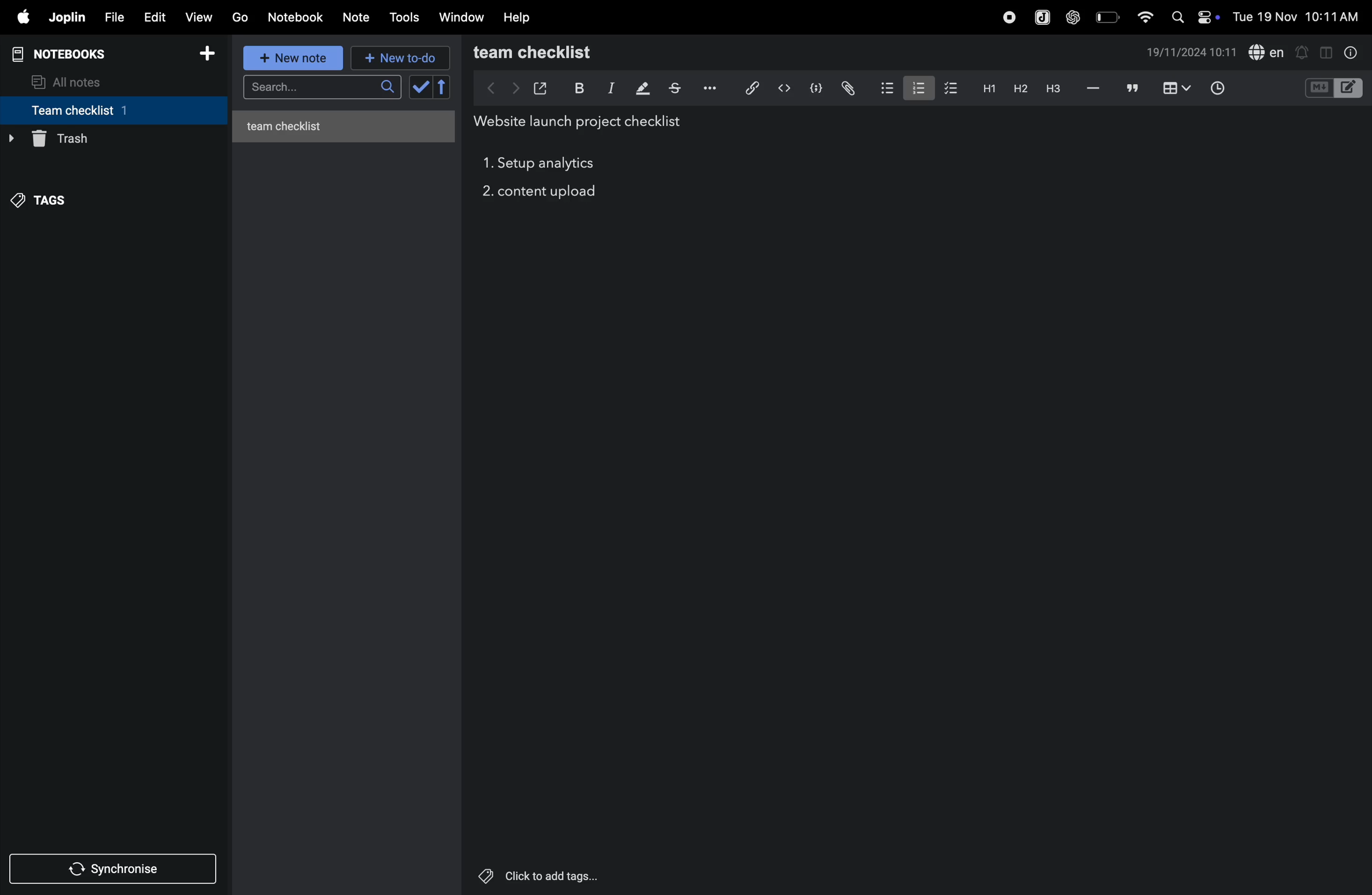  Describe the element at coordinates (884, 88) in the screenshot. I see `bullet list` at that location.